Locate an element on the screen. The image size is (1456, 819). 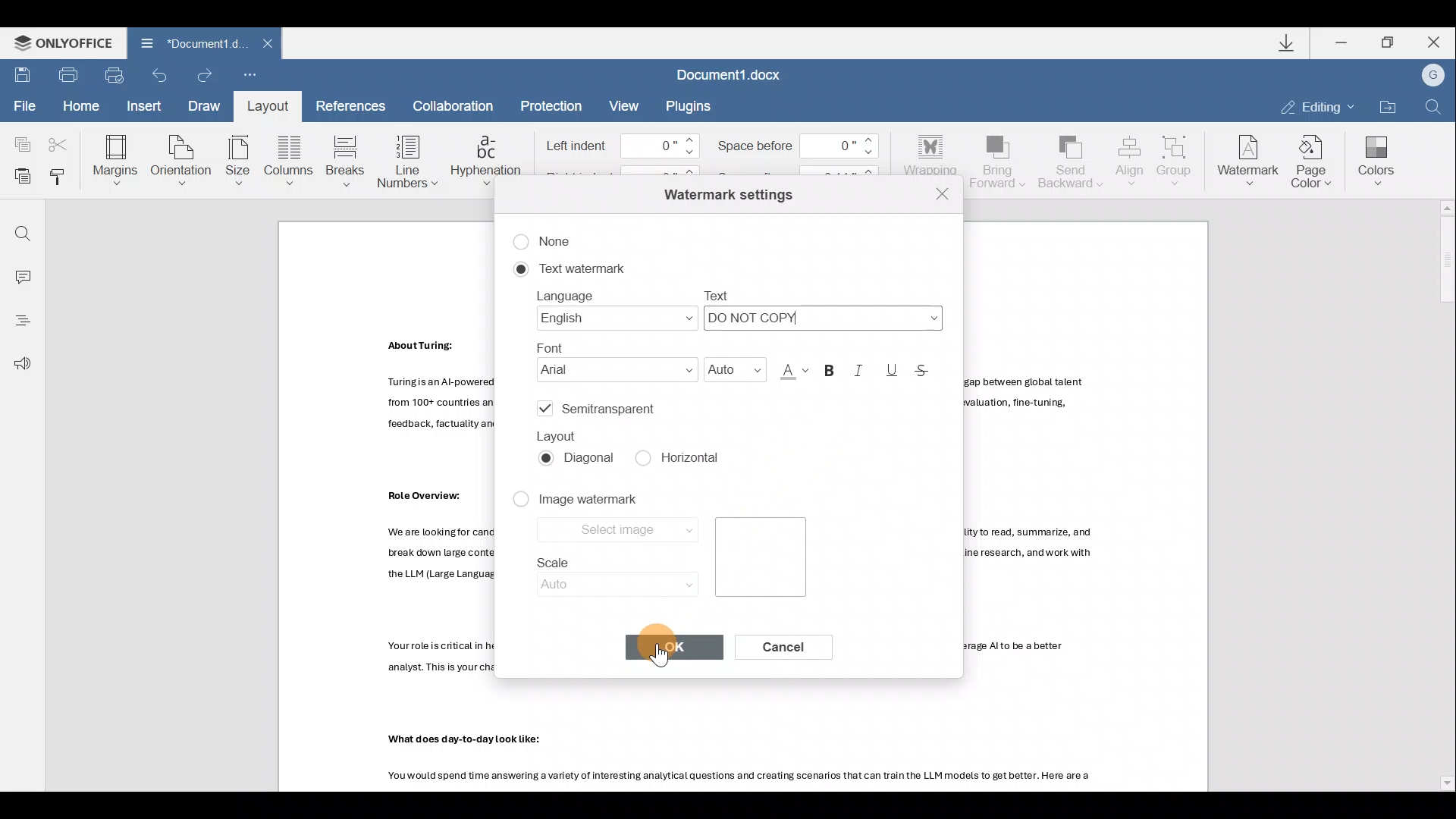
Home is located at coordinates (86, 106).